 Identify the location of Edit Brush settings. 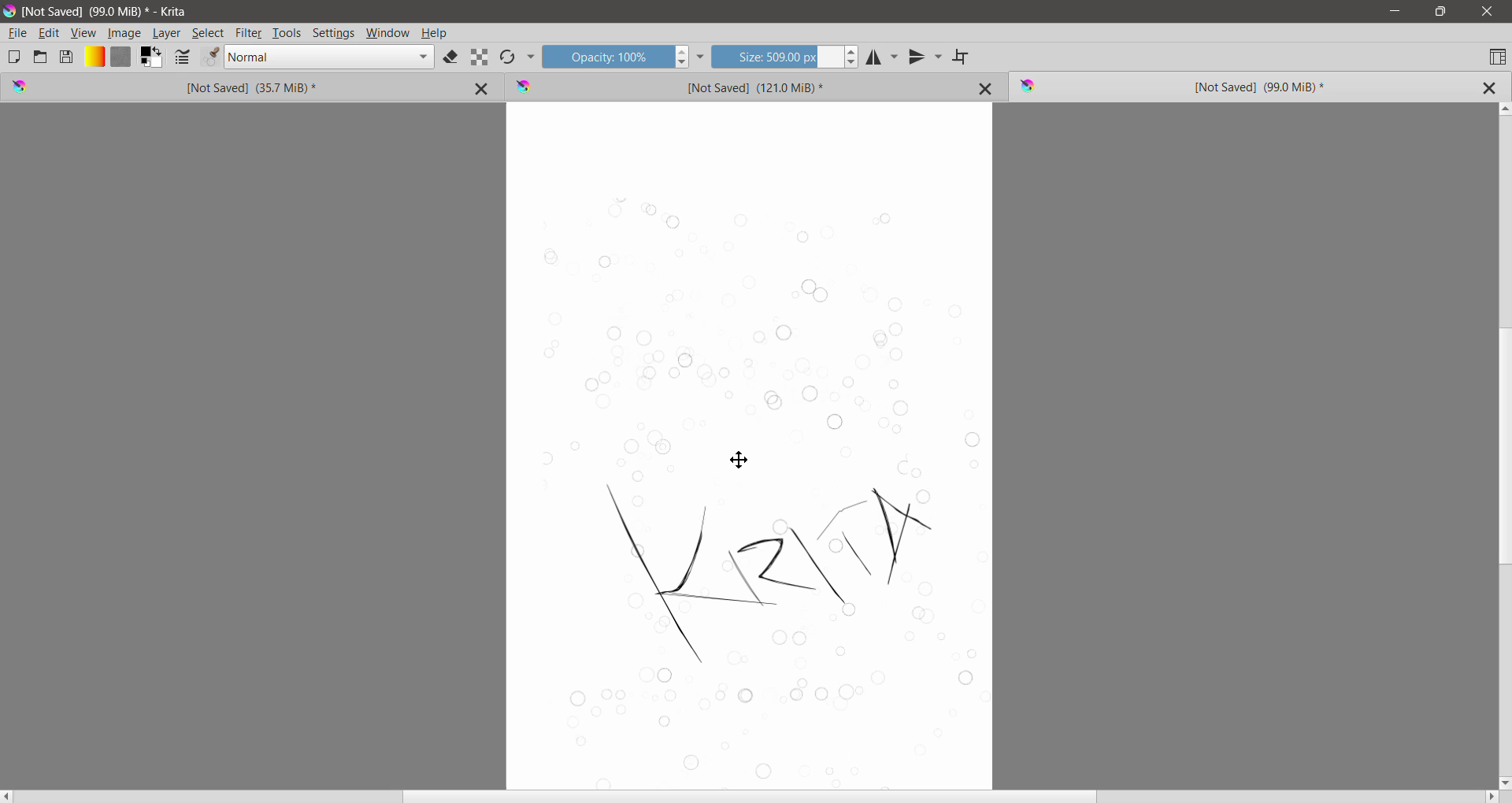
(182, 58).